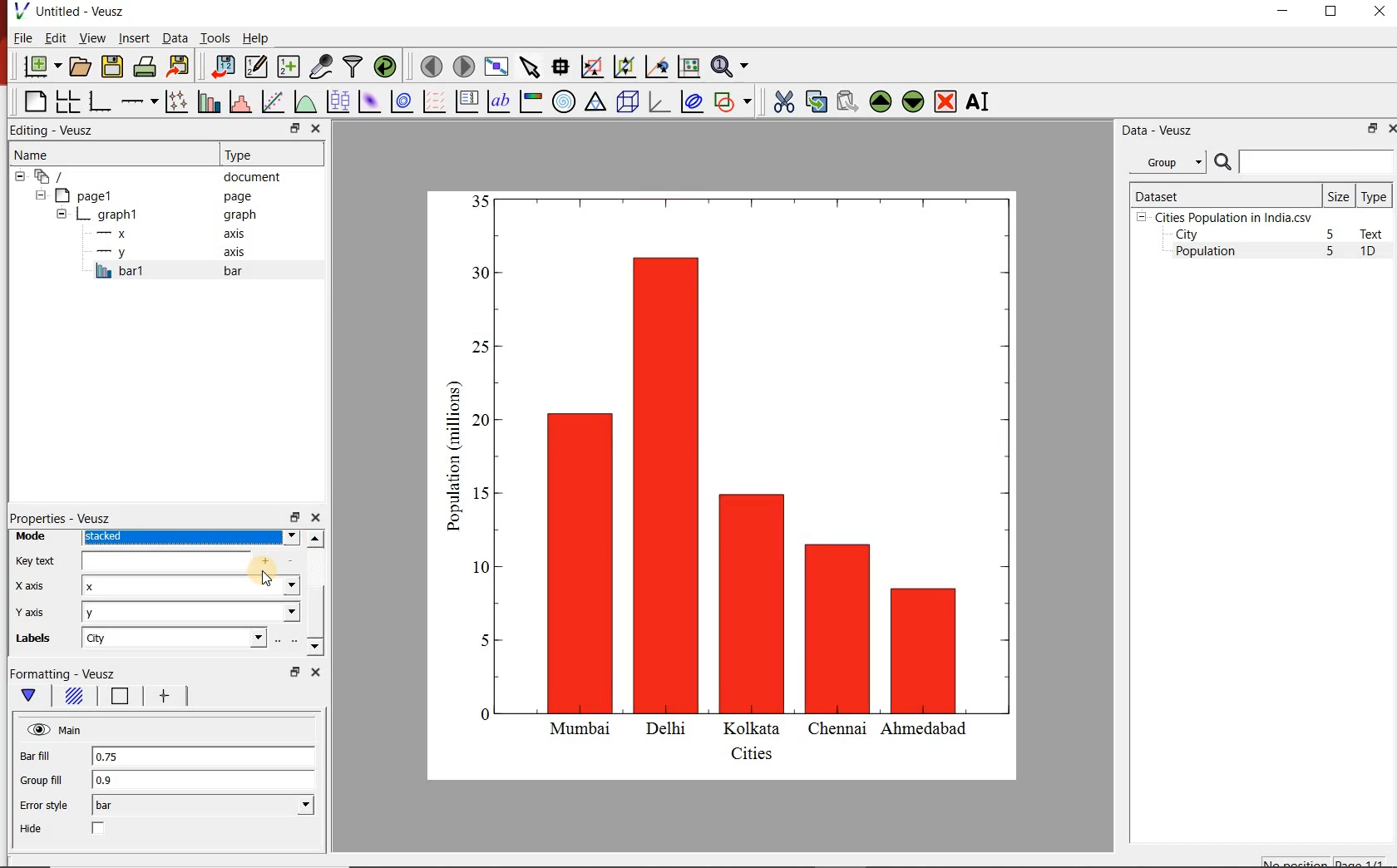 This screenshot has height=868, width=1397. What do you see at coordinates (98, 101) in the screenshot?
I see `base graph` at bounding box center [98, 101].